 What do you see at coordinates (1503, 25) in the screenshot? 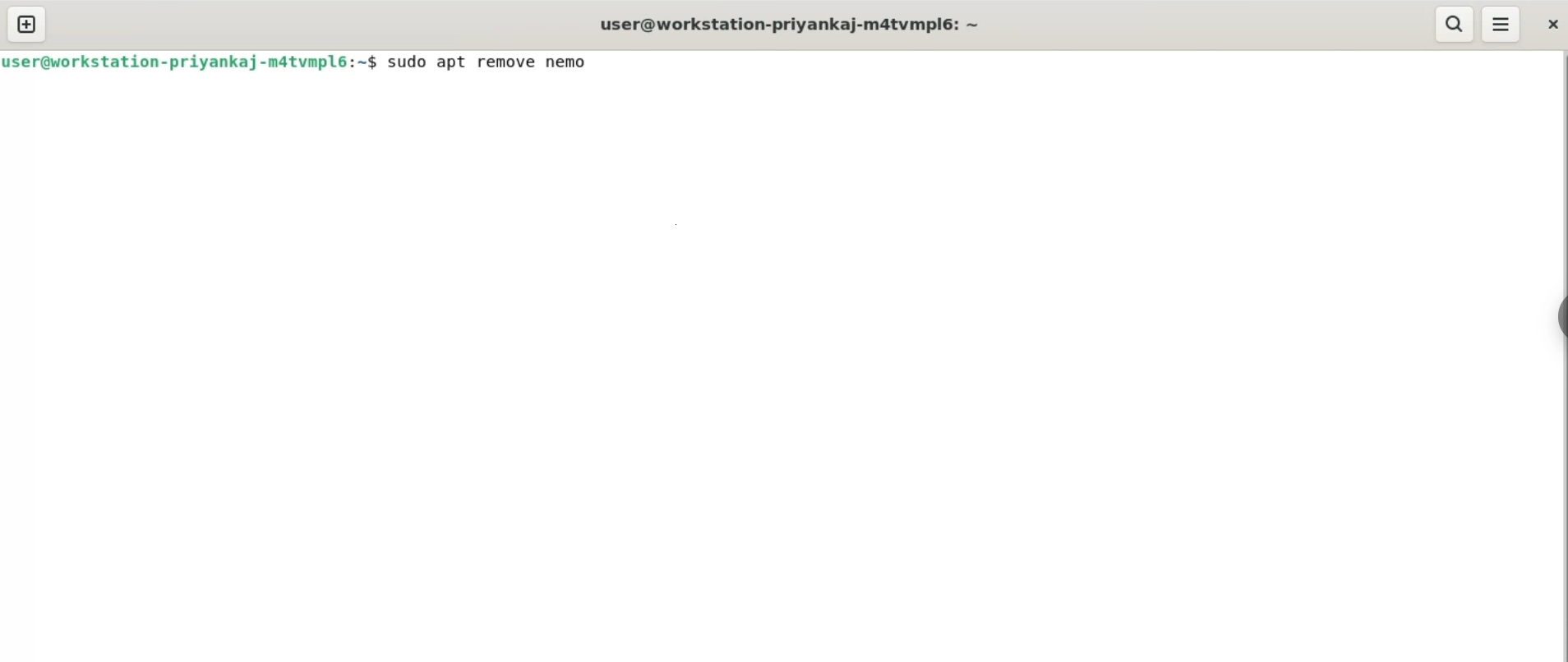
I see `menu` at bounding box center [1503, 25].